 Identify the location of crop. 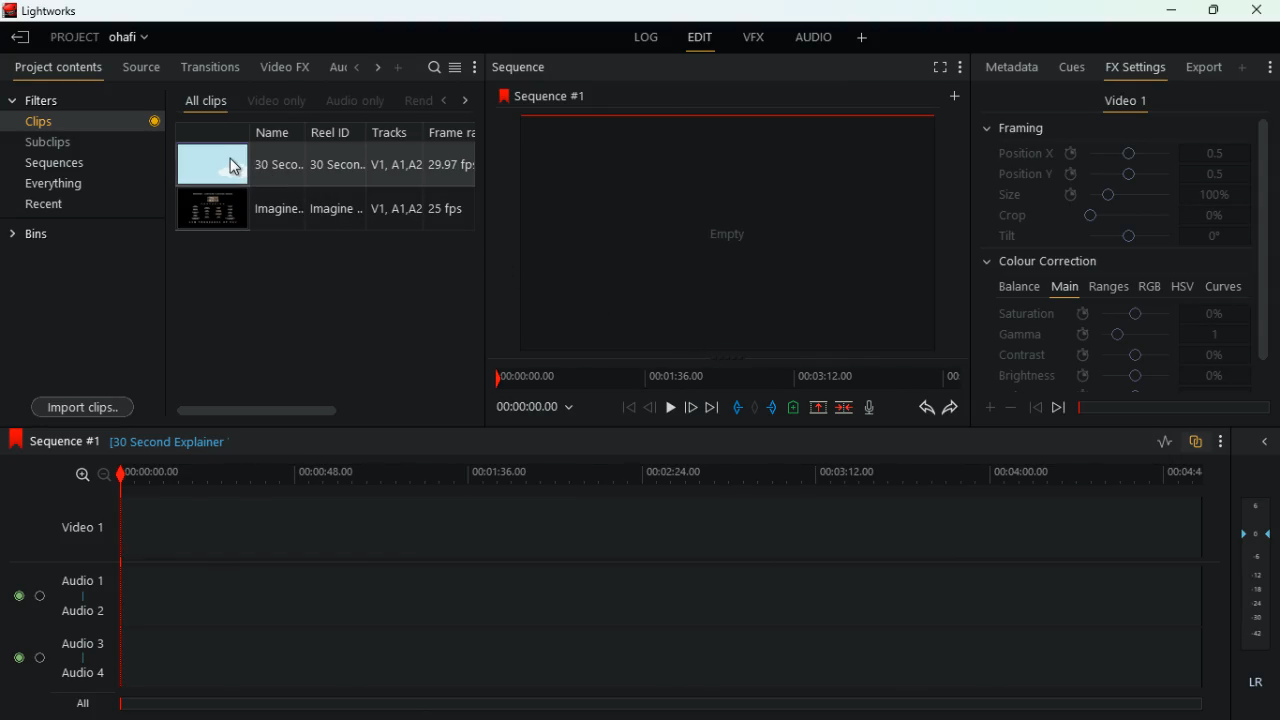
(1114, 217).